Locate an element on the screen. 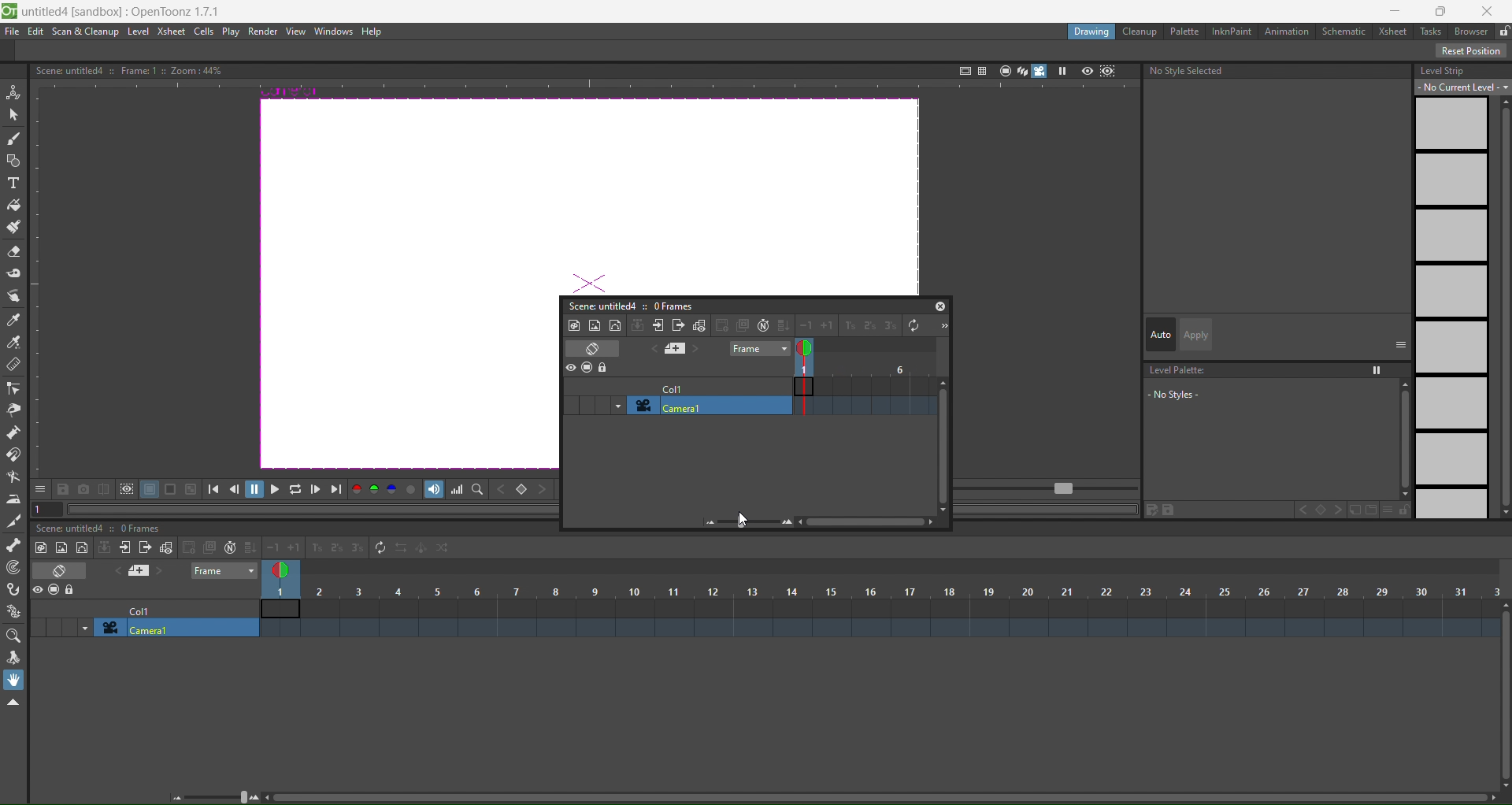 This screenshot has width=1512, height=805. level is located at coordinates (139, 32).